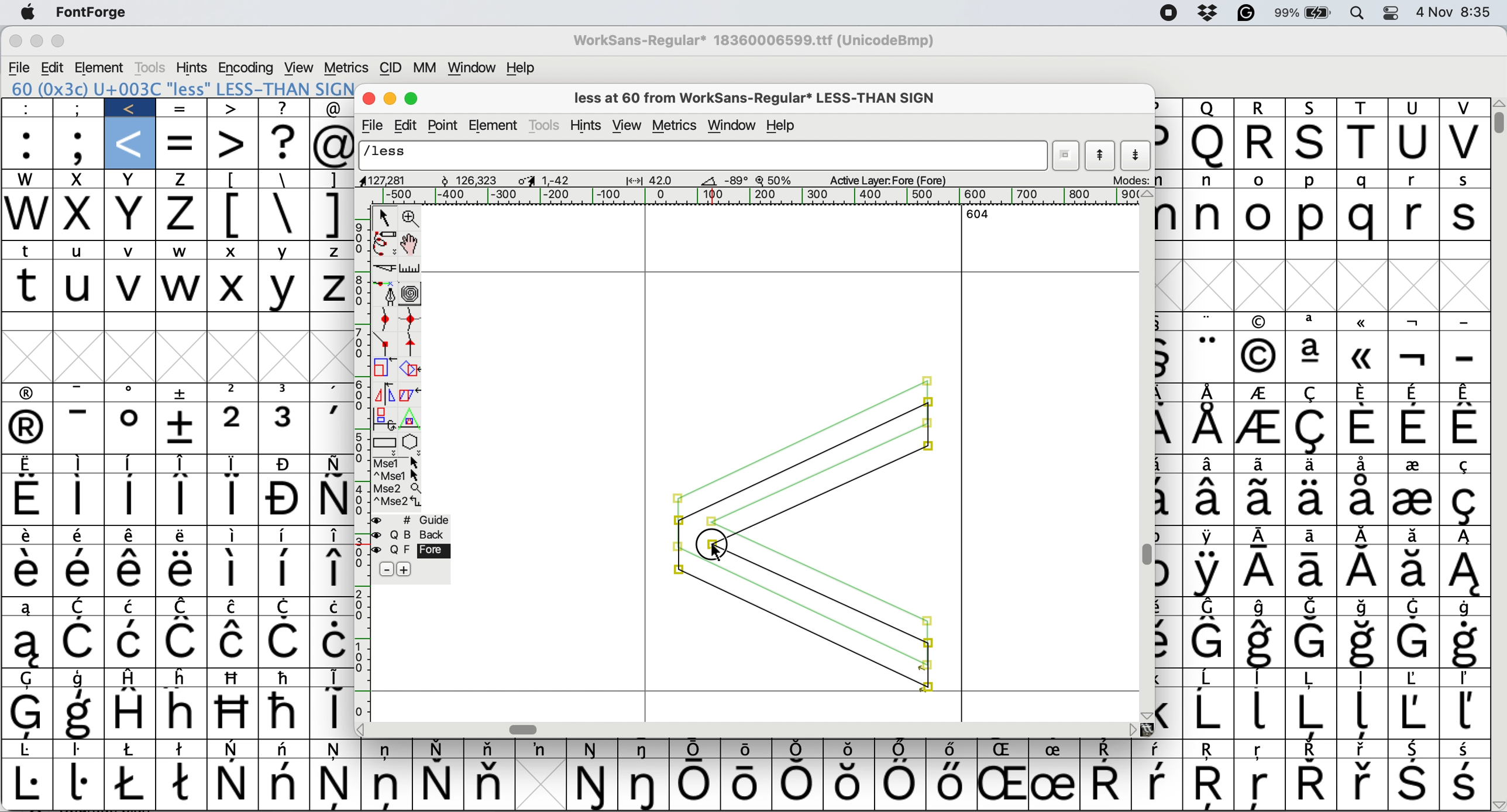 This screenshot has width=1507, height=812. Describe the element at coordinates (132, 783) in the screenshot. I see `Symbol` at that location.